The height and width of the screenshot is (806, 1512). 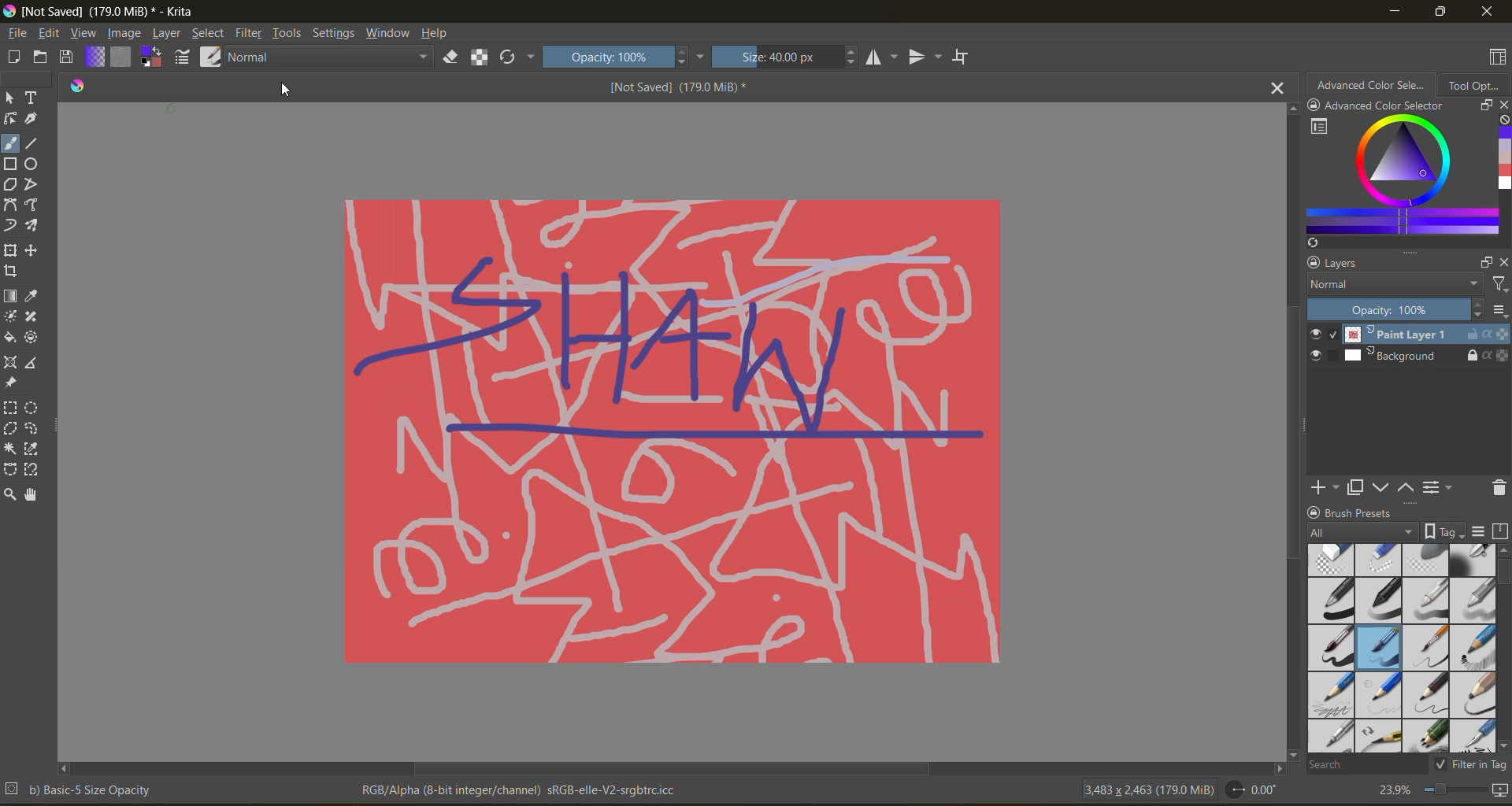 What do you see at coordinates (1384, 487) in the screenshot?
I see `mask down` at bounding box center [1384, 487].